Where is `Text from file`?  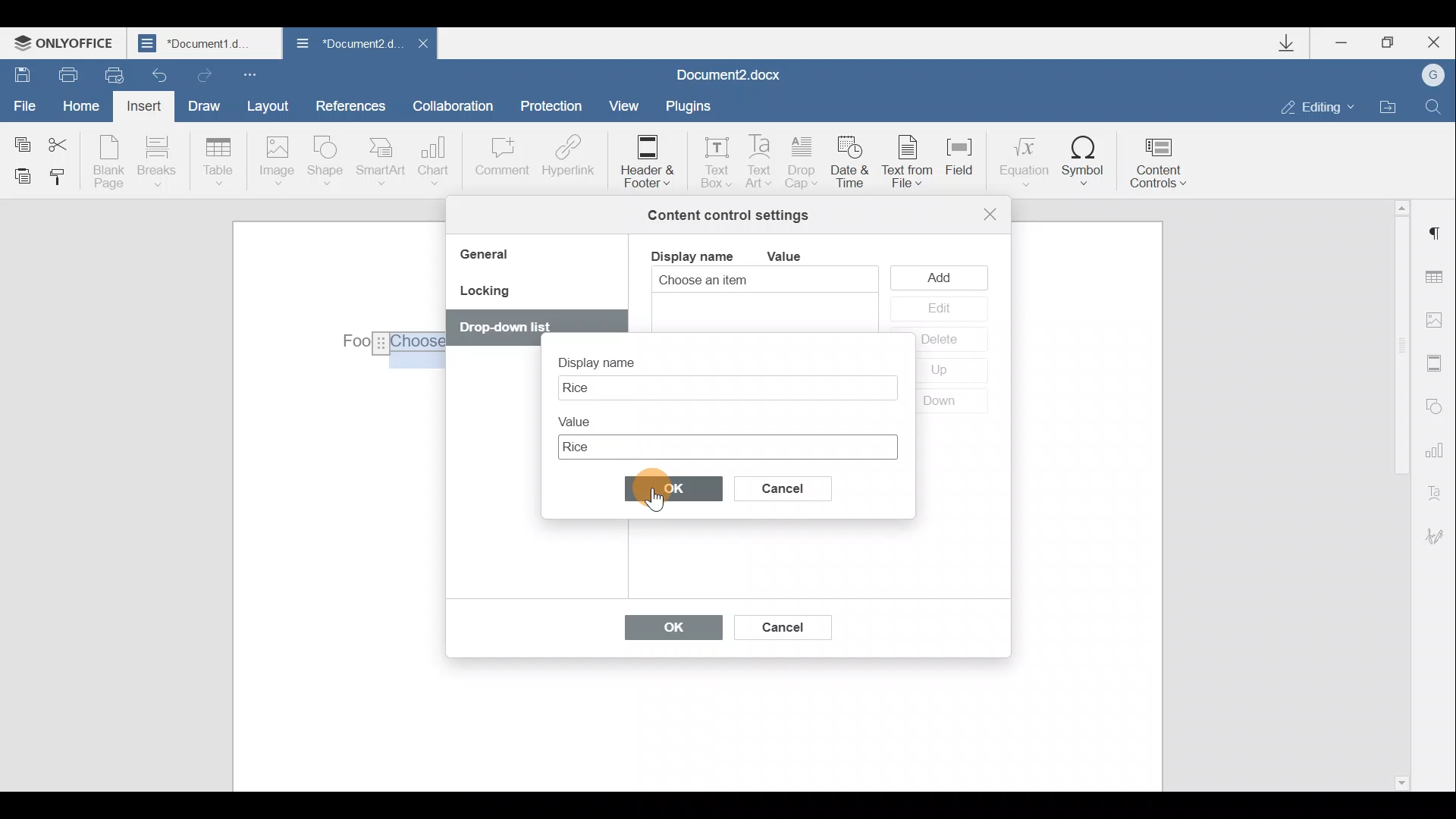
Text from file is located at coordinates (912, 163).